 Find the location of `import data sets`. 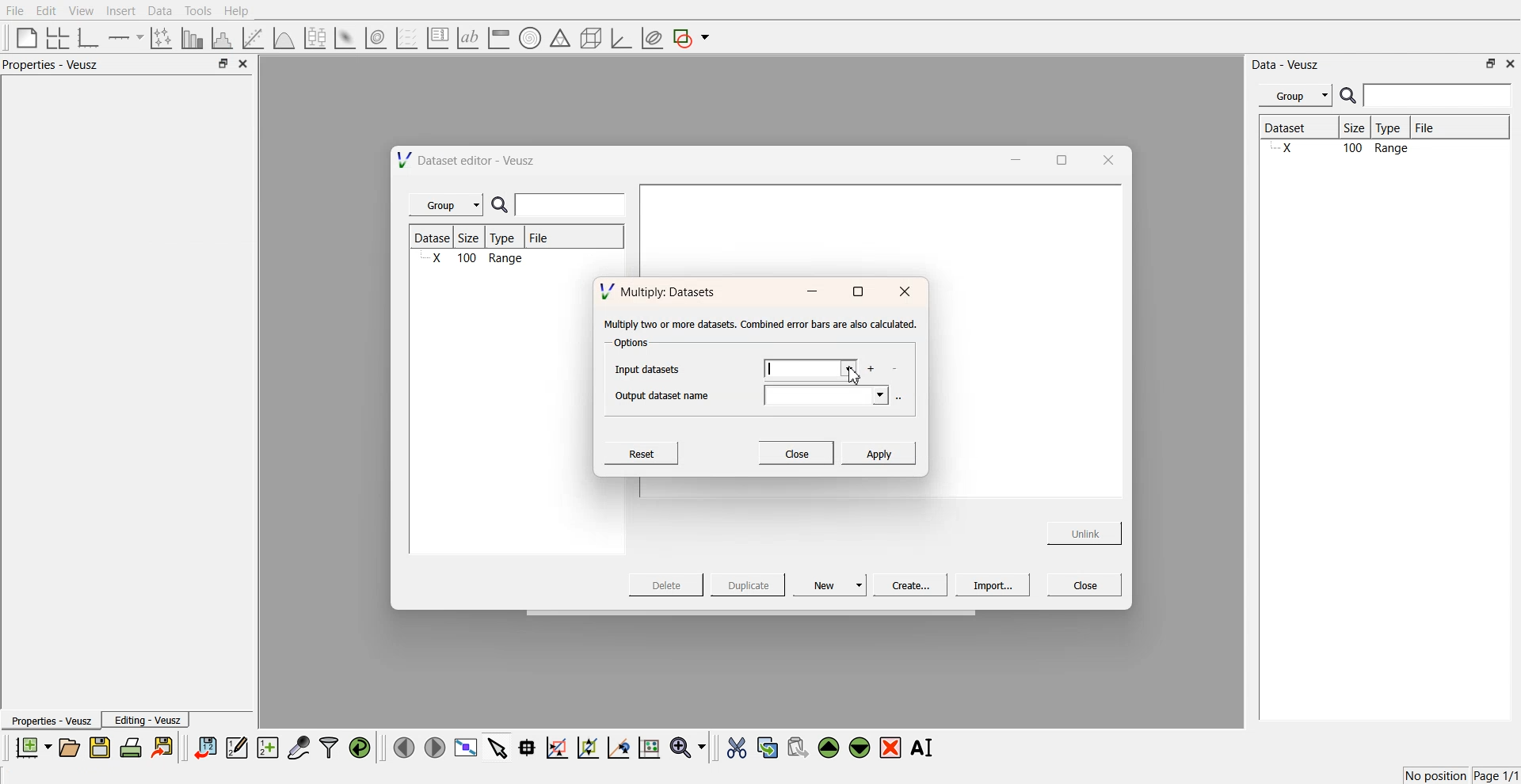

import data sets is located at coordinates (204, 748).